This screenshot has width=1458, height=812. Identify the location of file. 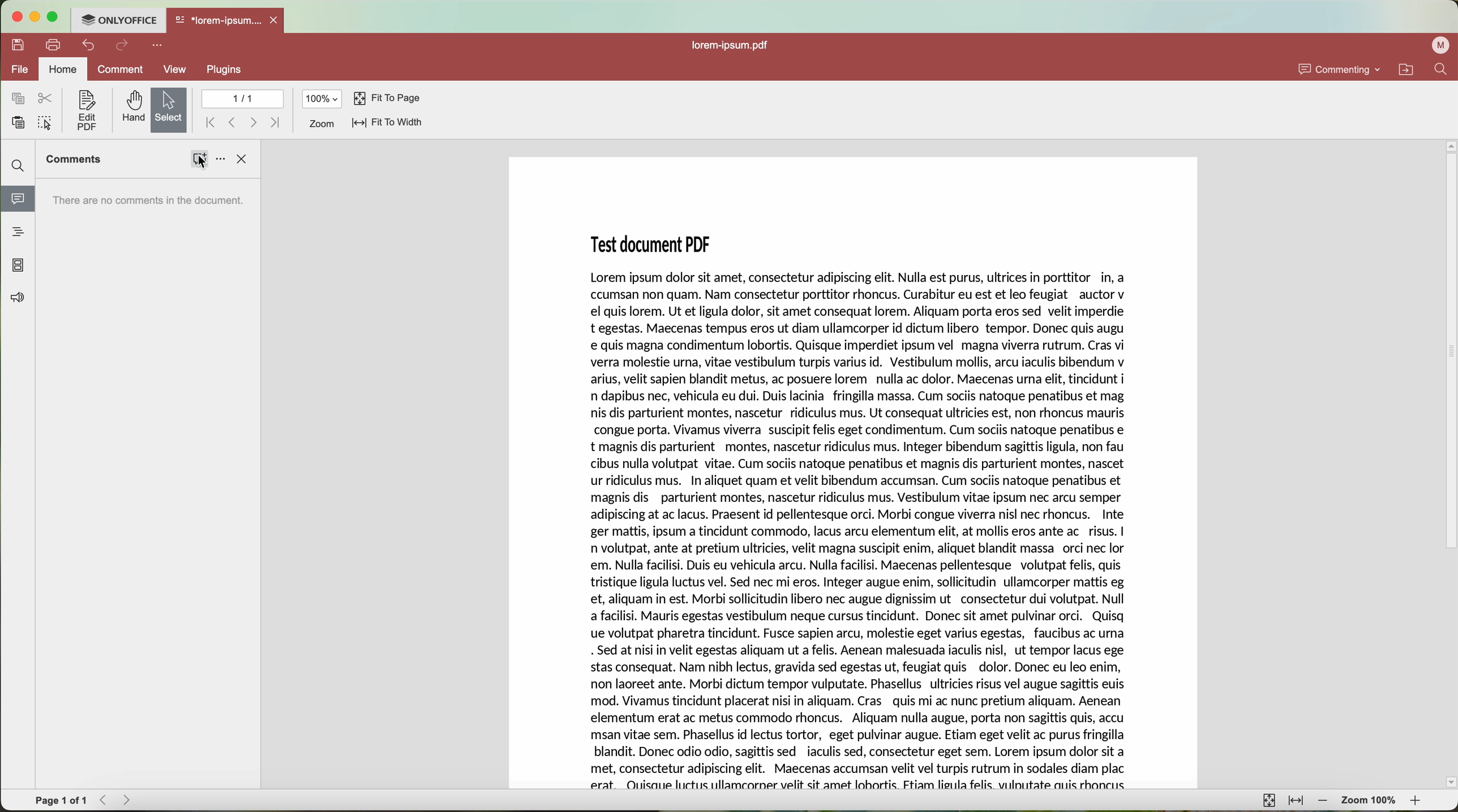
(18, 70).